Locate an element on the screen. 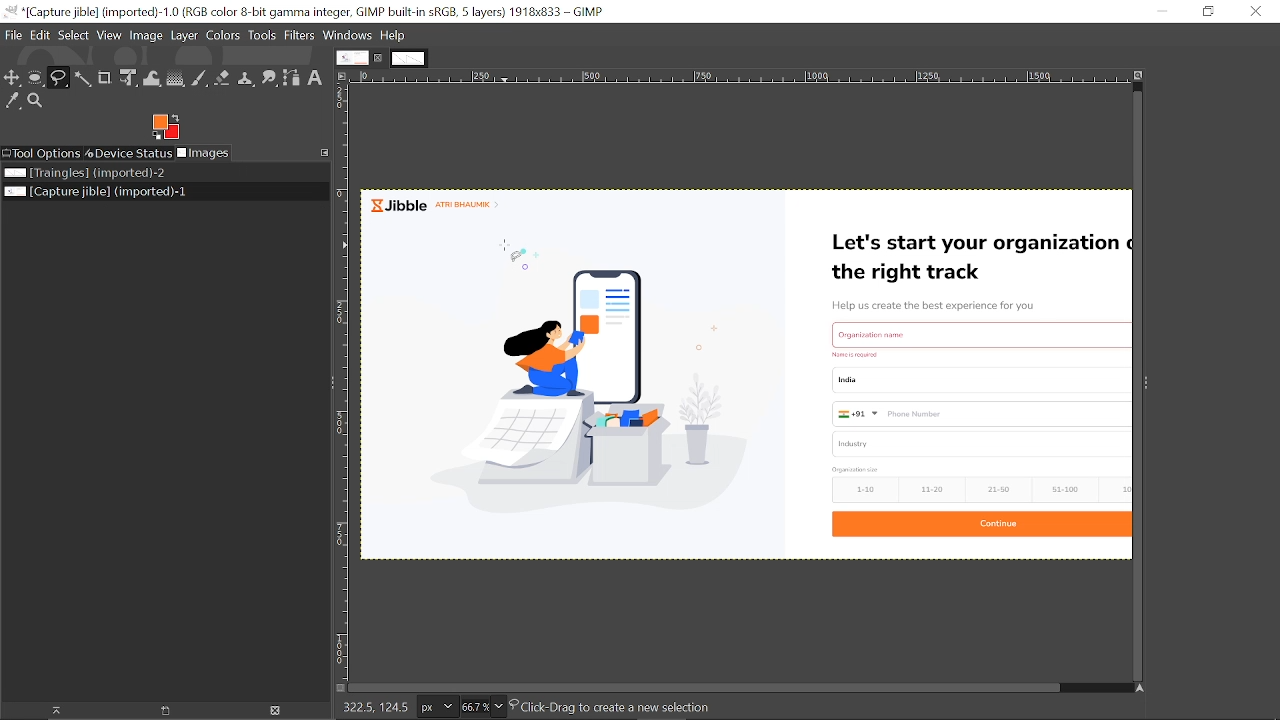 This screenshot has height=720, width=1280. Horizontal label is located at coordinates (742, 78).